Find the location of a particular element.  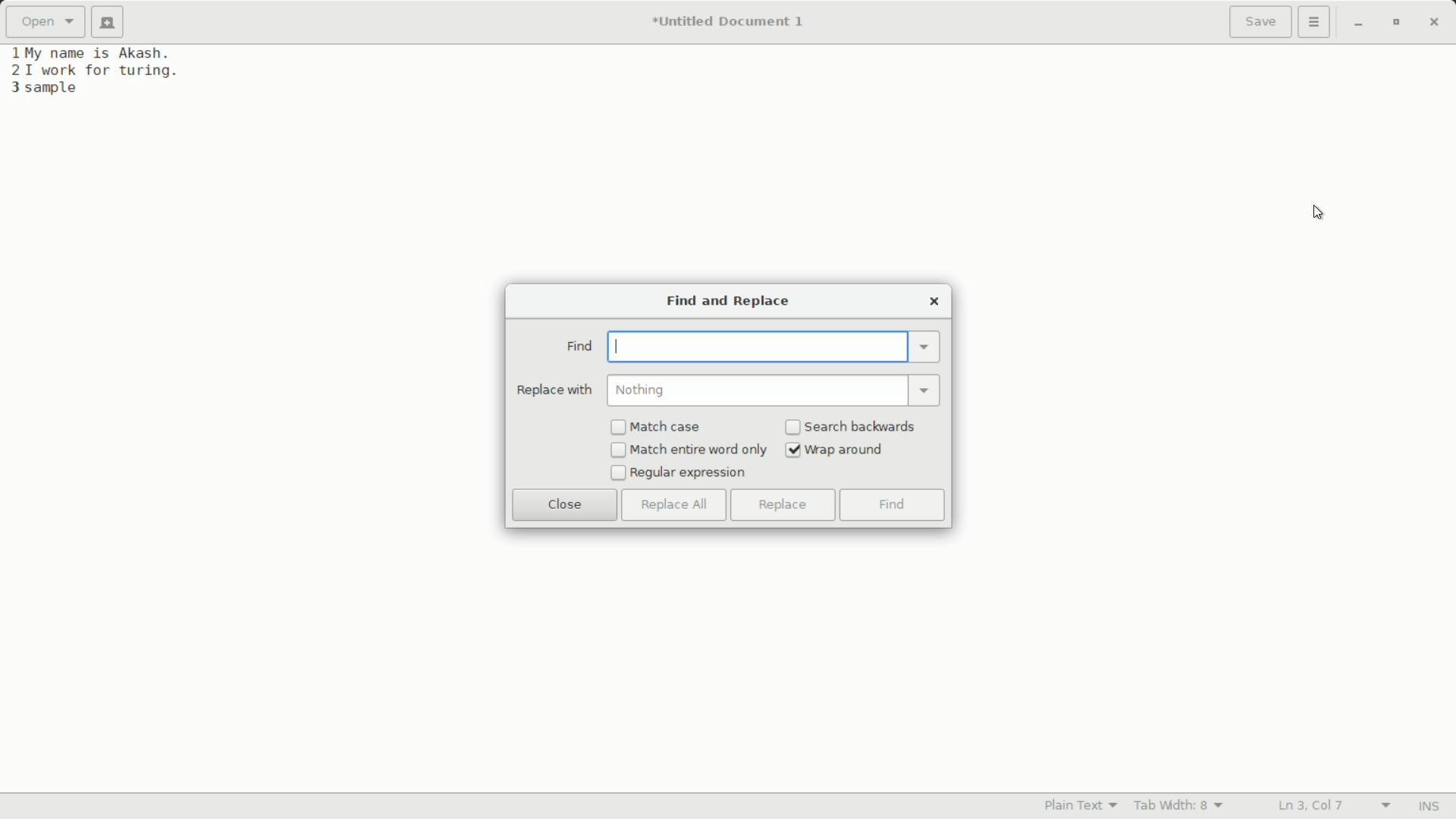

replace with bar is located at coordinates (757, 391).